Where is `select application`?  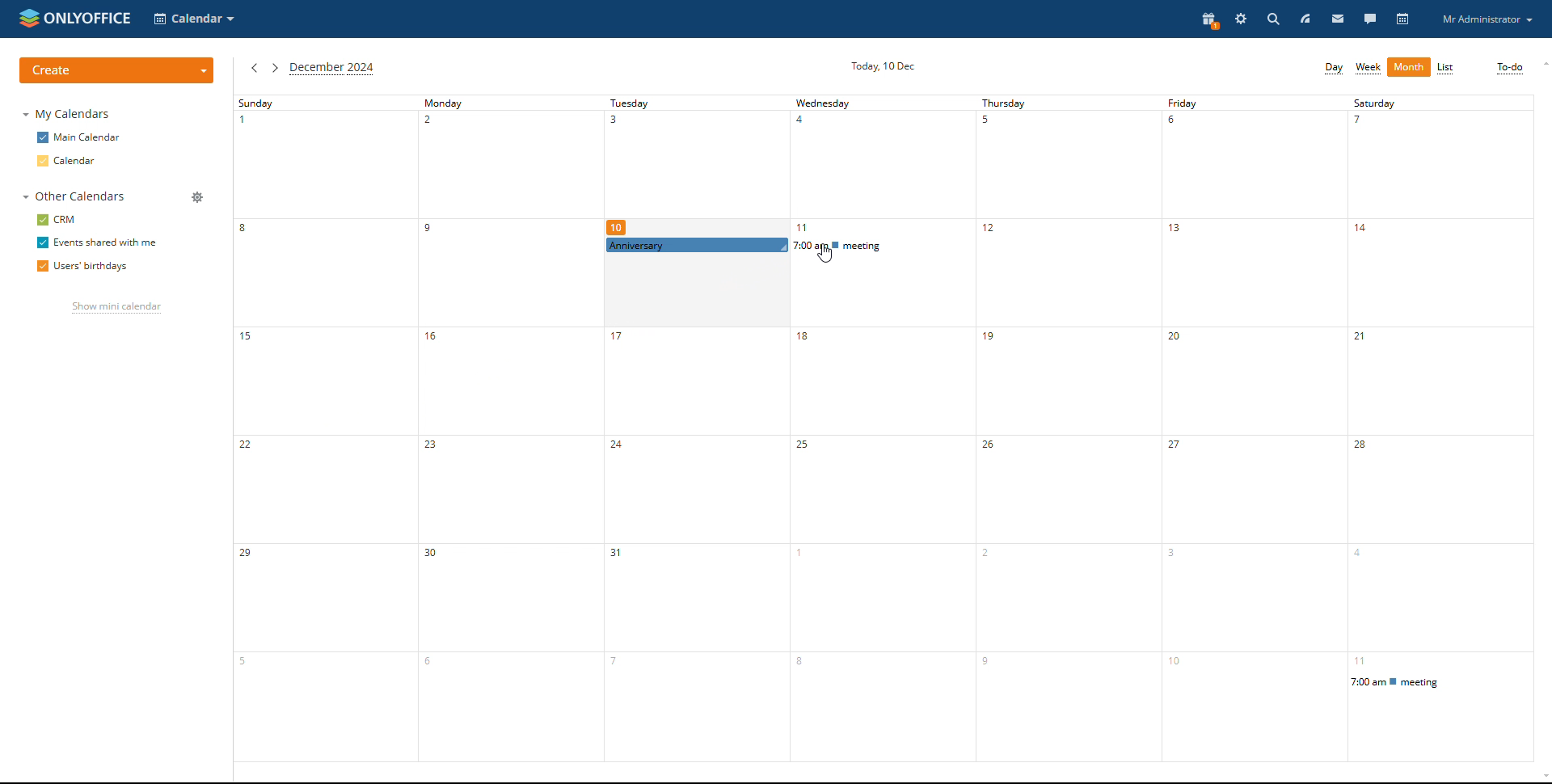
select application is located at coordinates (195, 19).